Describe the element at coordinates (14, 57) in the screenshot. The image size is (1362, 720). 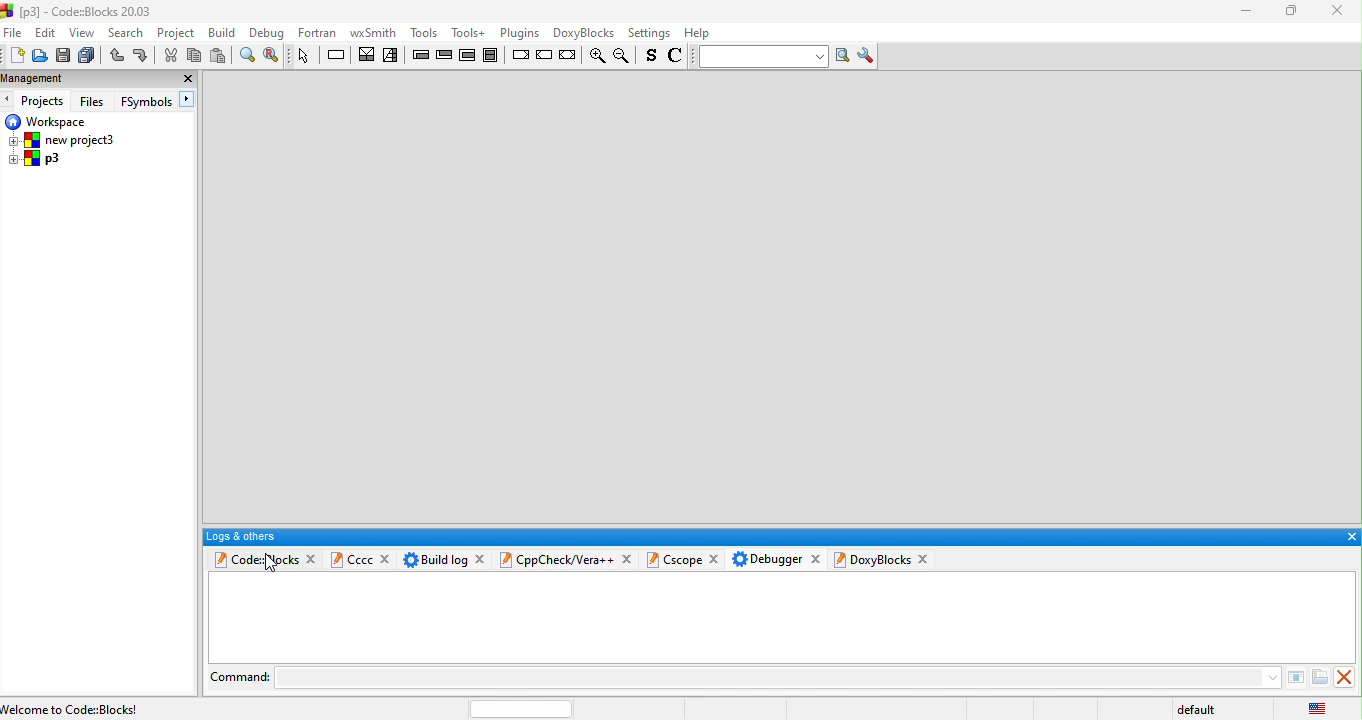
I see `new` at that location.